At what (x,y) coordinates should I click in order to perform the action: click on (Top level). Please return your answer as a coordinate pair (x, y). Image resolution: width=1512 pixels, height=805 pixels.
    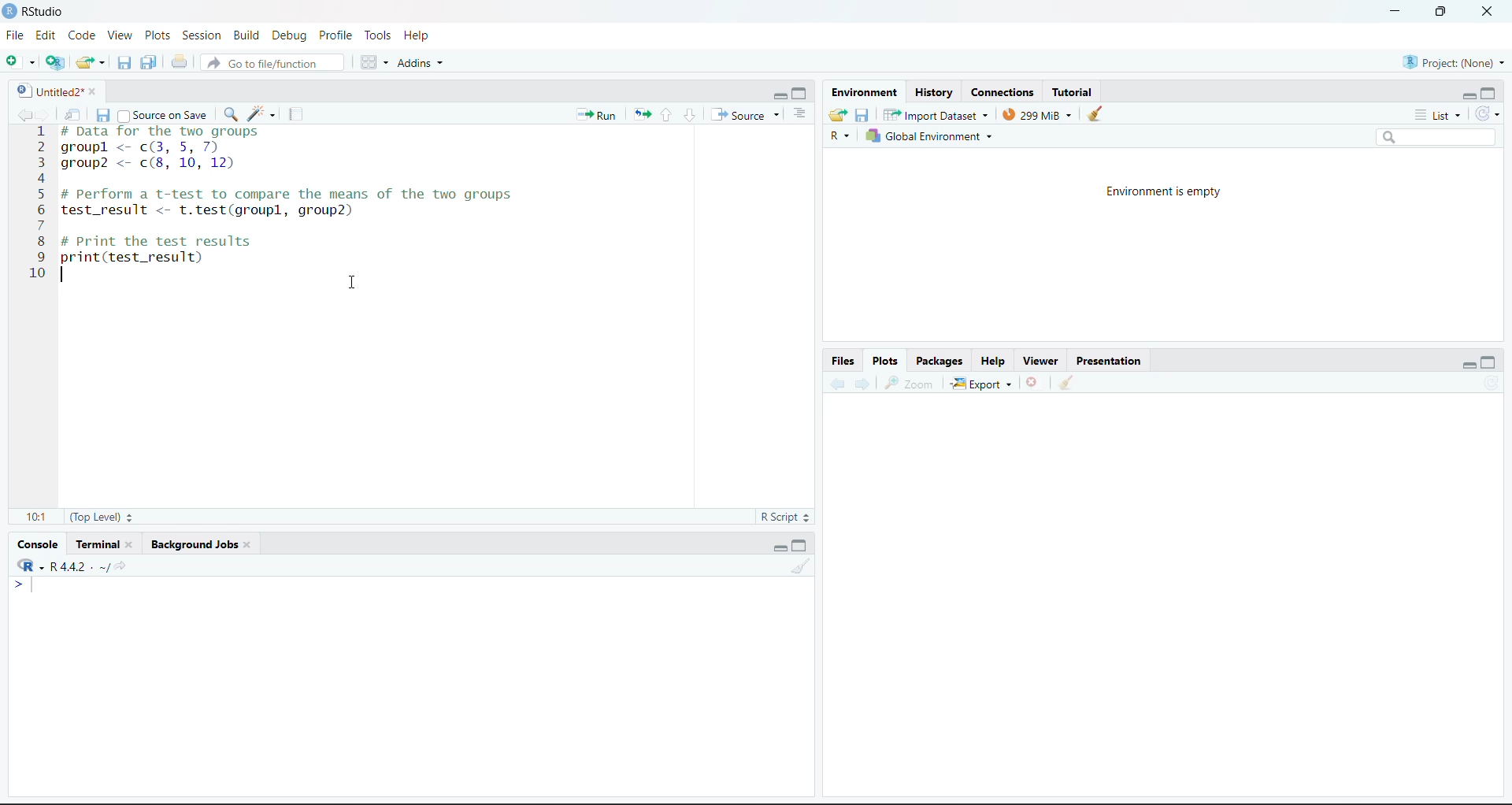
    Looking at the image, I should click on (102, 517).